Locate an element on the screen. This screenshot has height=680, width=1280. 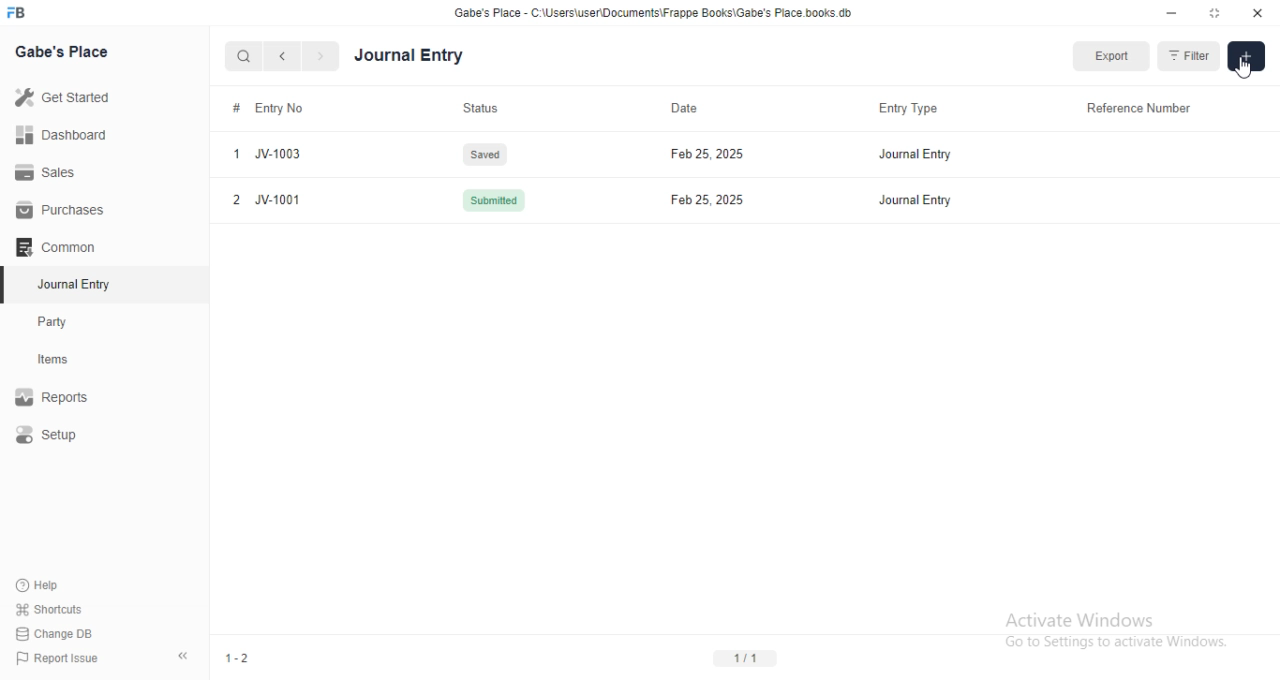
Status is located at coordinates (481, 109).